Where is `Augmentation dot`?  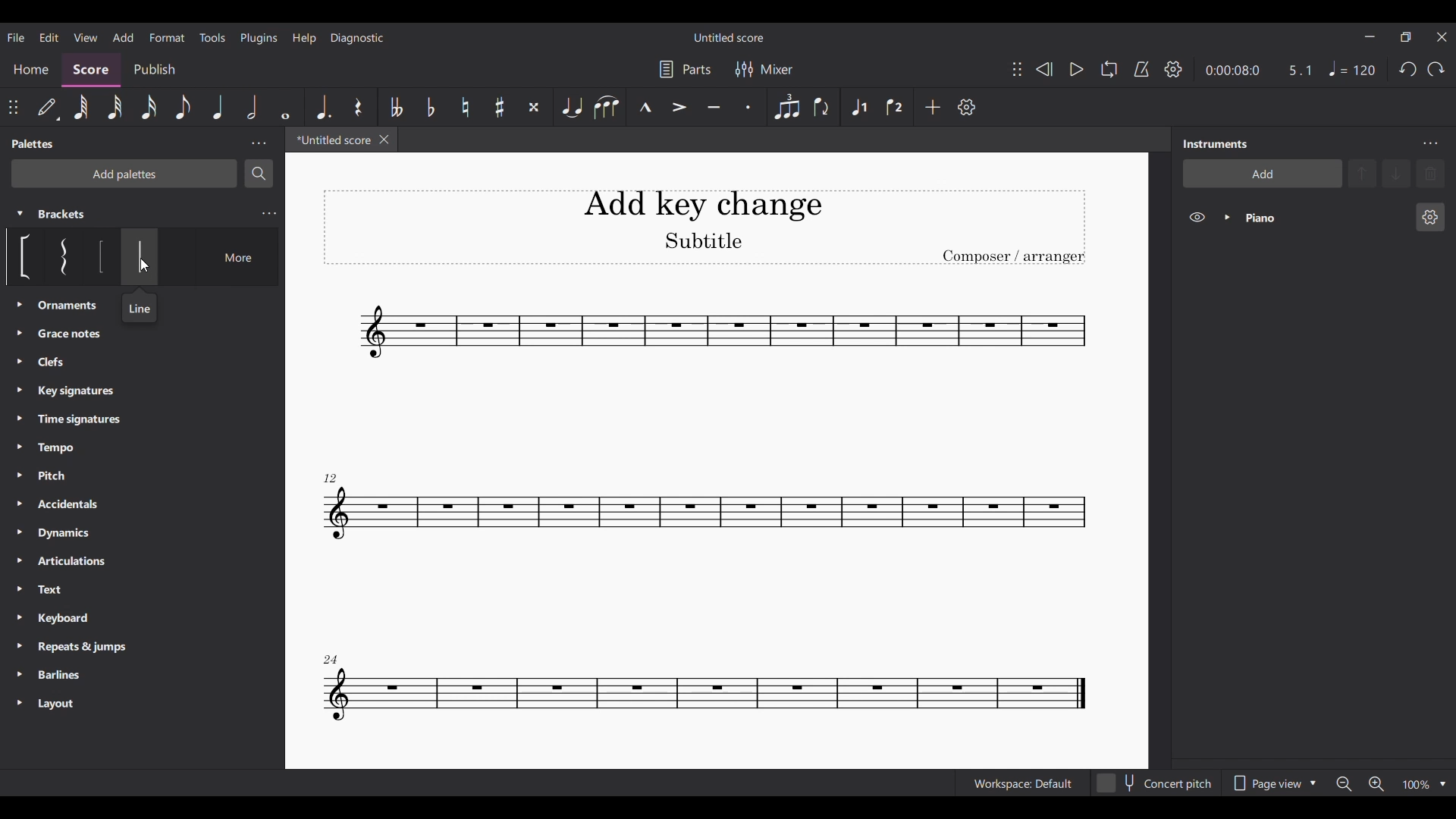 Augmentation dot is located at coordinates (322, 107).